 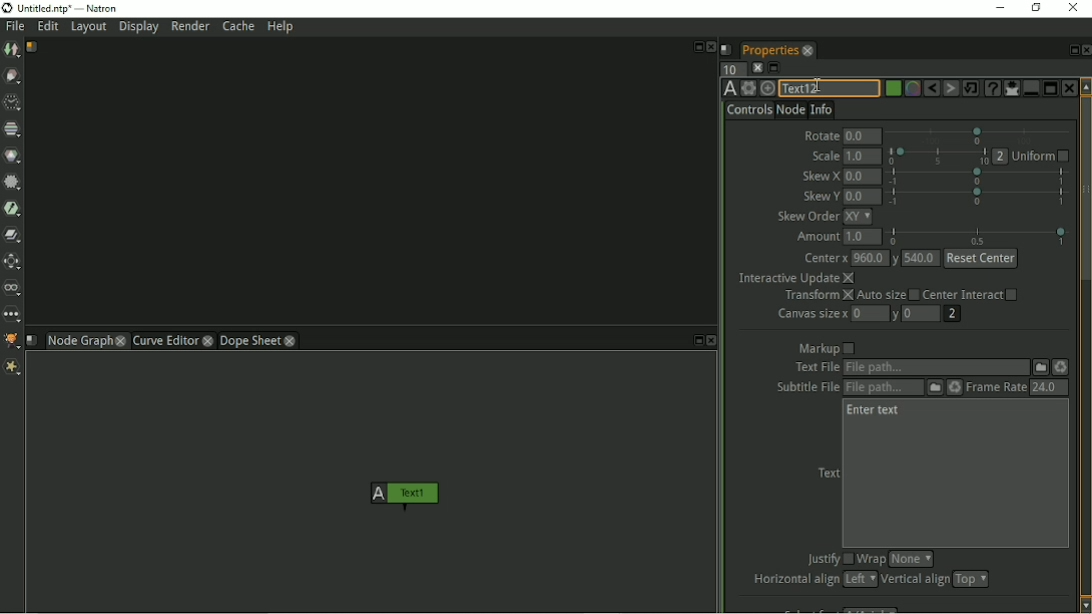 I want to click on Vertical scrollbar, so click(x=1085, y=345).